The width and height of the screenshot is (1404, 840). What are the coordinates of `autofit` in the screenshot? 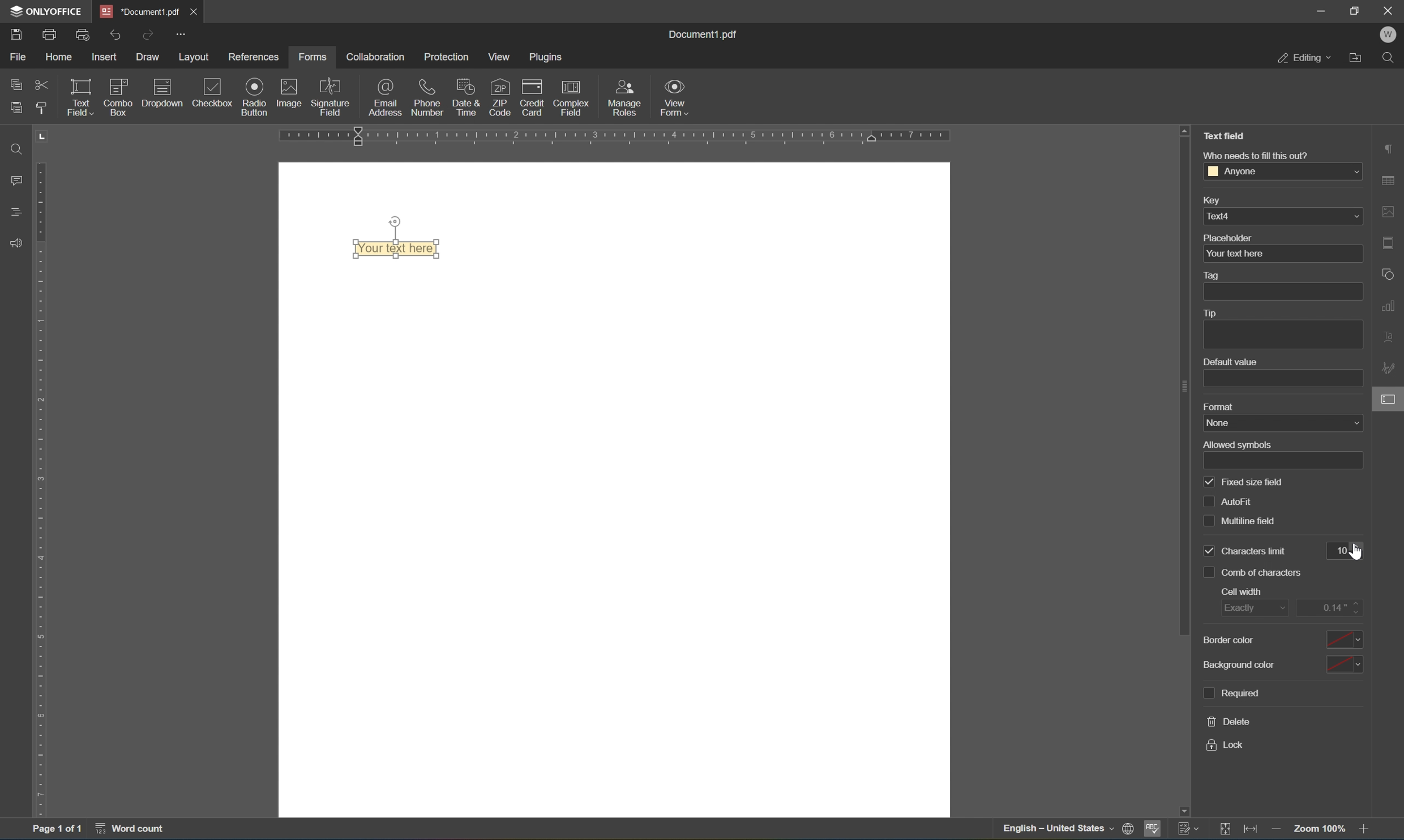 It's located at (1238, 502).